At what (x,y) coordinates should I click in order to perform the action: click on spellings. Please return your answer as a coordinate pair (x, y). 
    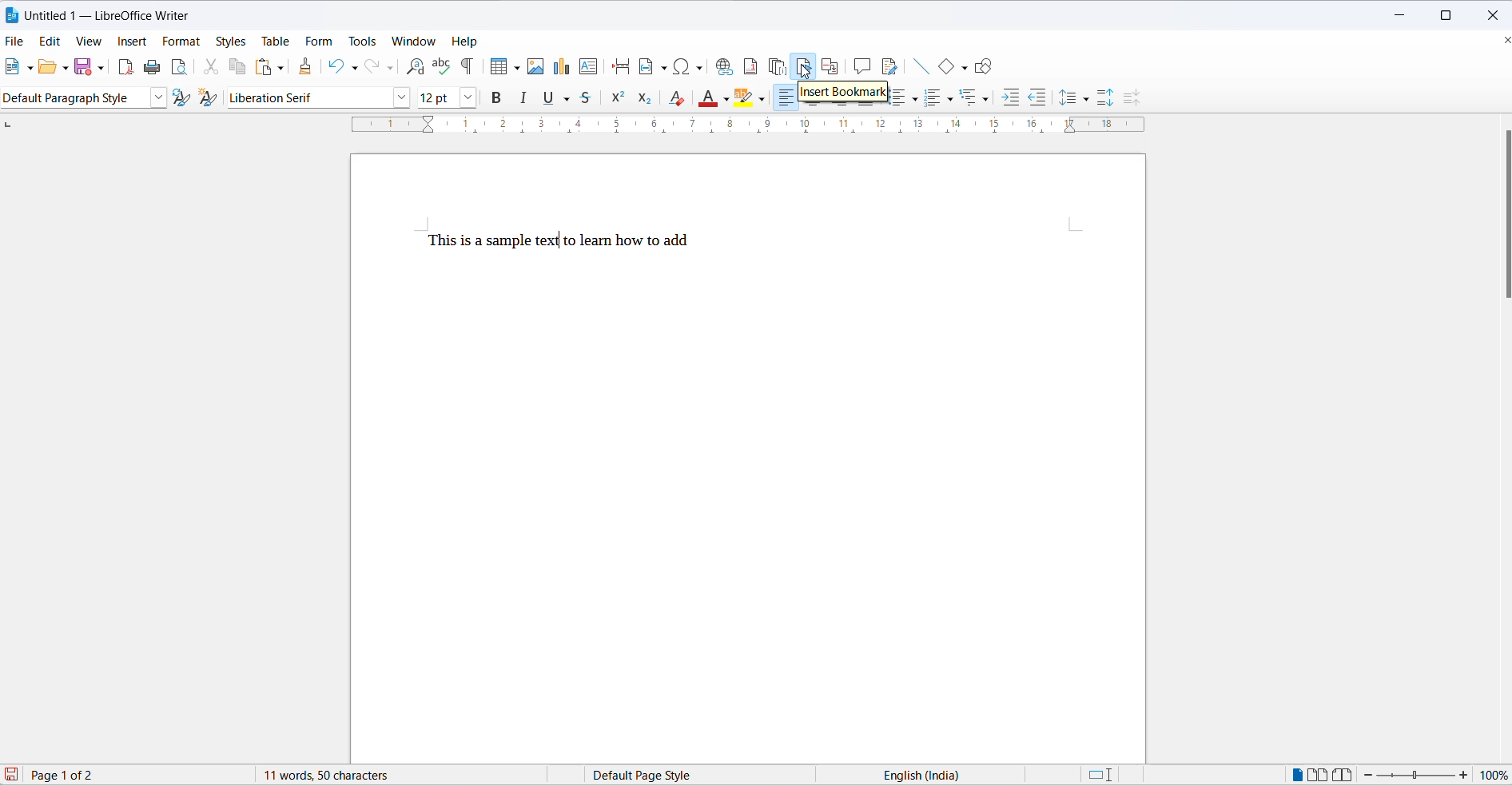
    Looking at the image, I should click on (441, 65).